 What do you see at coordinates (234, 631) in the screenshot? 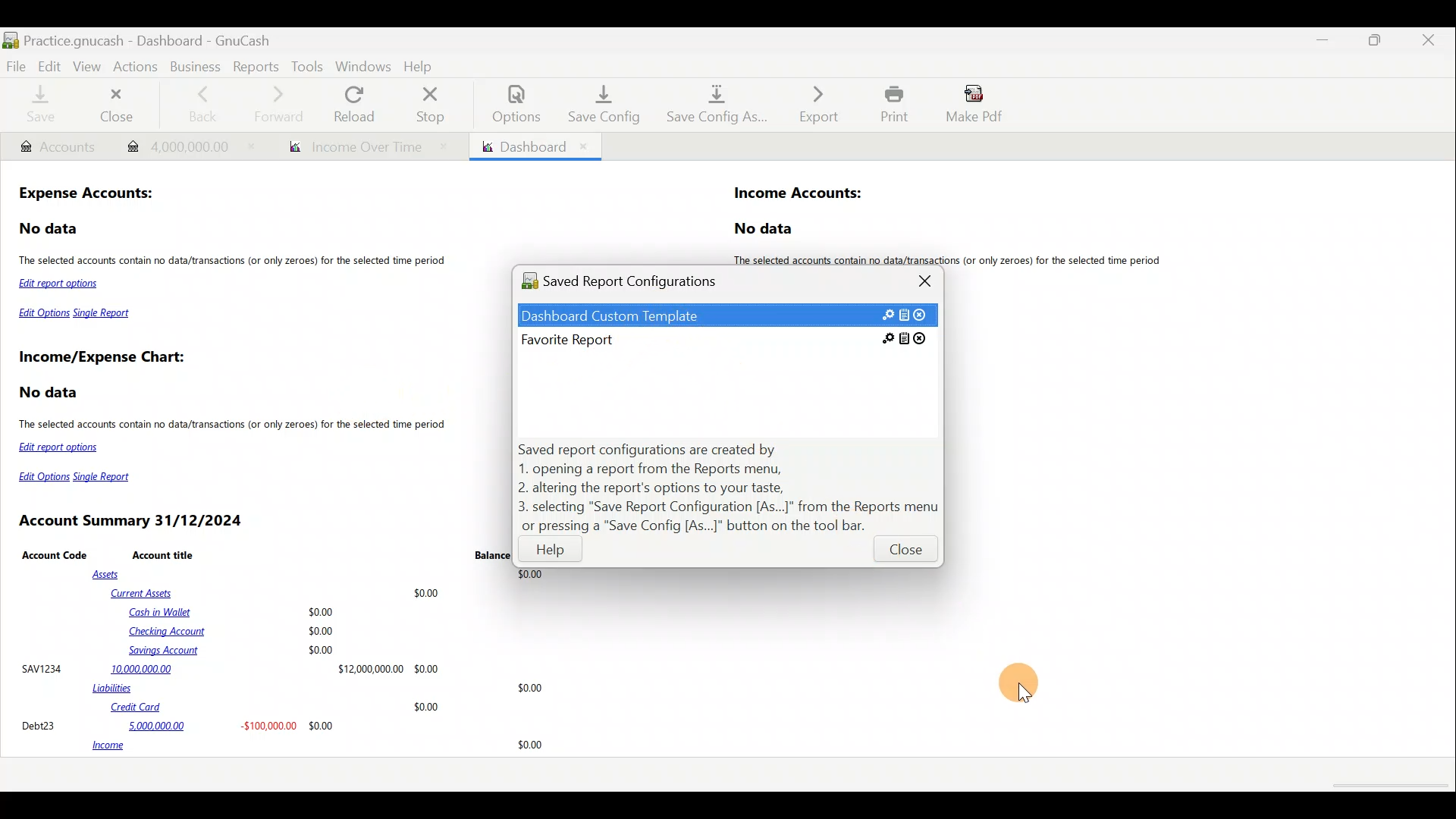
I see `Cash in Wallet $0.00
Checking Account $0.00
Savings Account $0.00` at bounding box center [234, 631].